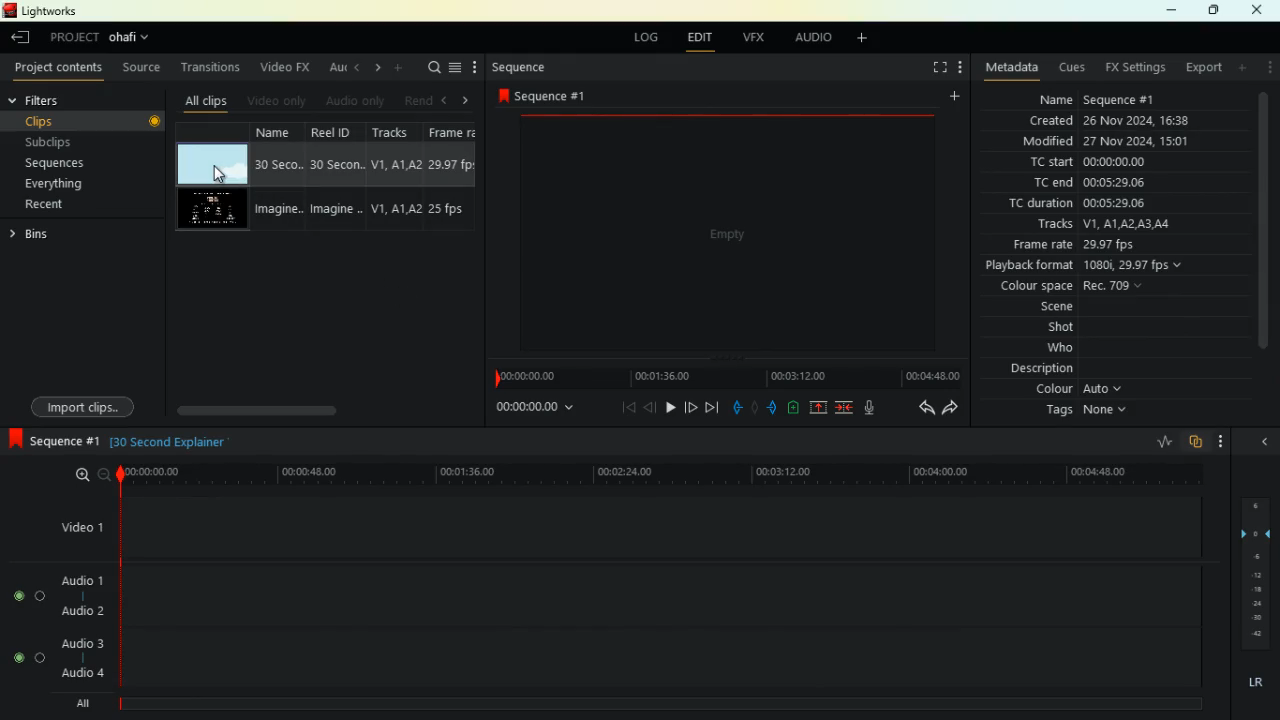 This screenshot has height=720, width=1280. Describe the element at coordinates (377, 68) in the screenshot. I see `right` at that location.